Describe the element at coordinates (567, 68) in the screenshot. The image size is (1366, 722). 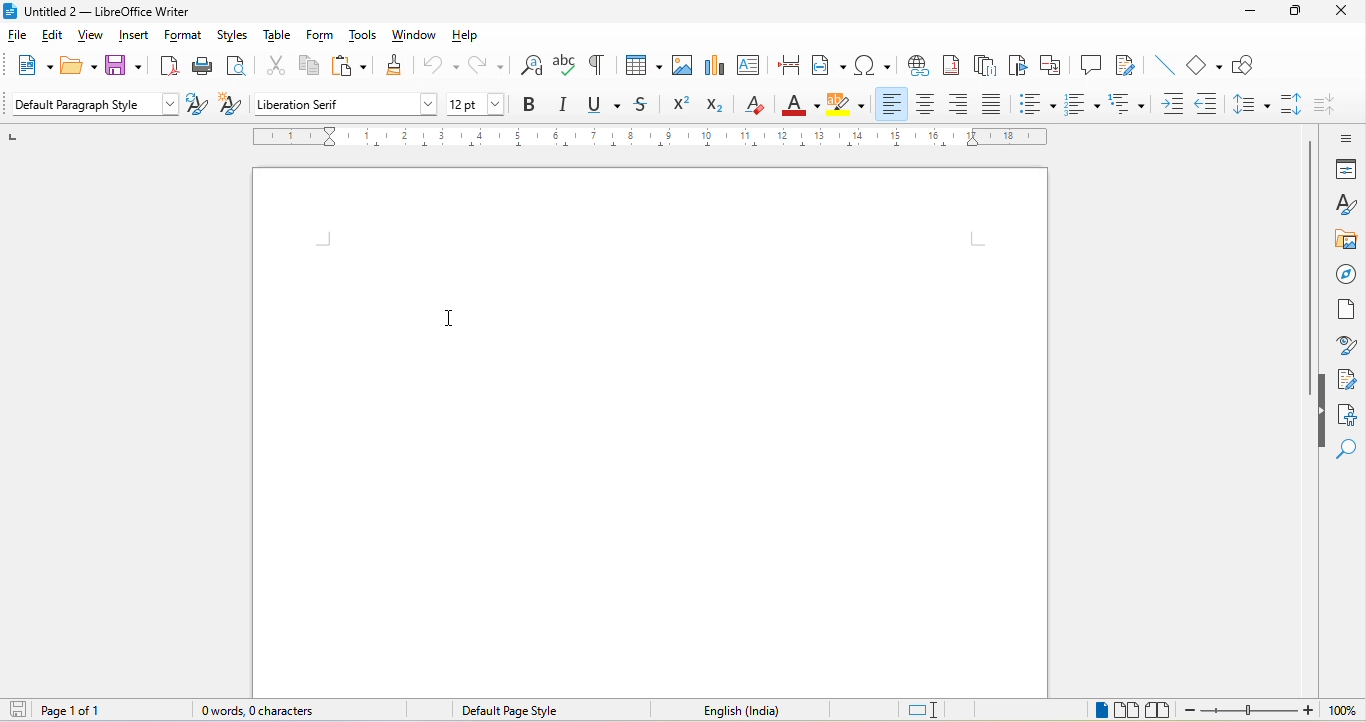
I see `spelling` at that location.